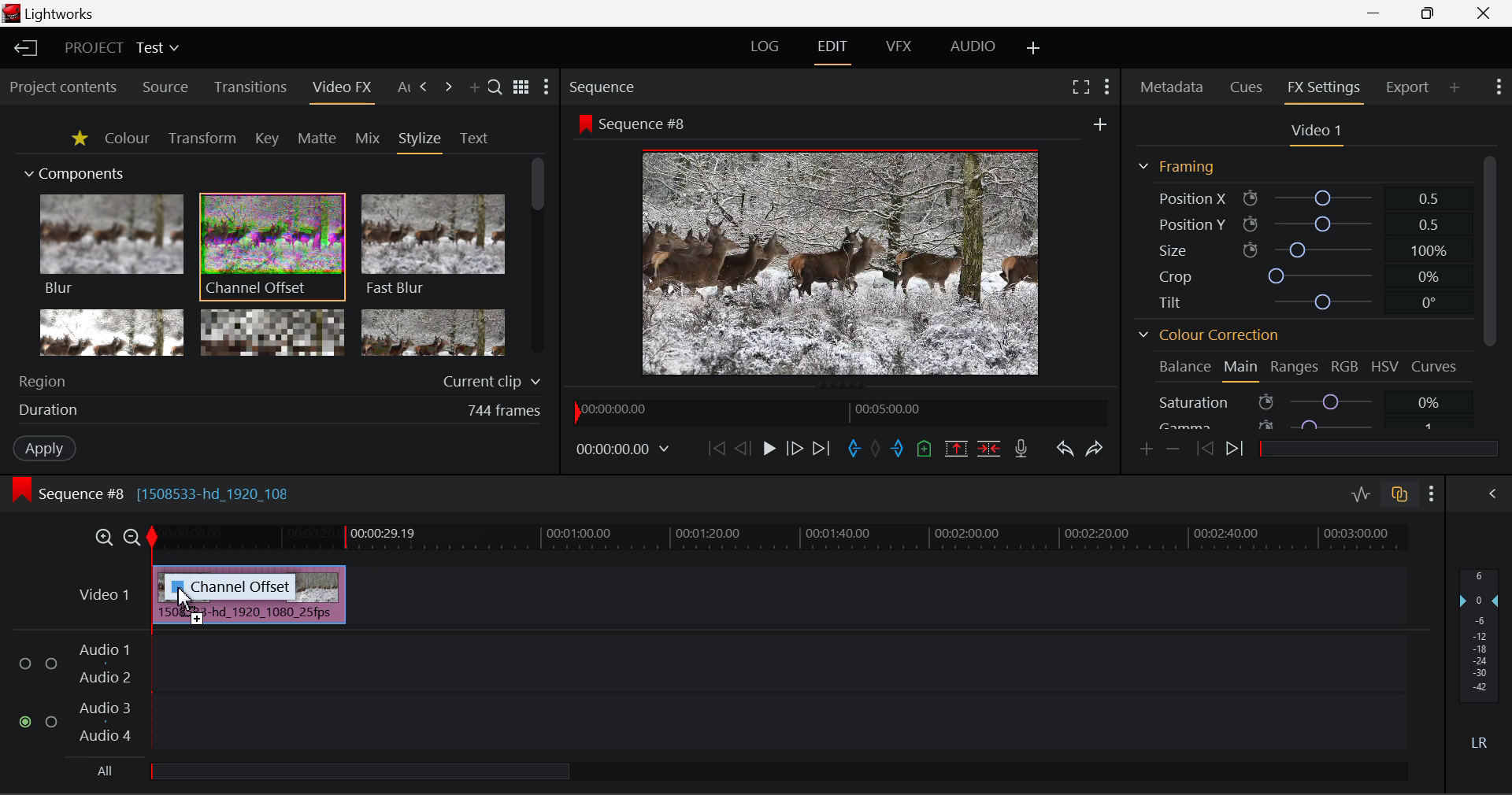 Image resolution: width=1512 pixels, height=795 pixels. What do you see at coordinates (62, 88) in the screenshot?
I see `Project contents` at bounding box center [62, 88].